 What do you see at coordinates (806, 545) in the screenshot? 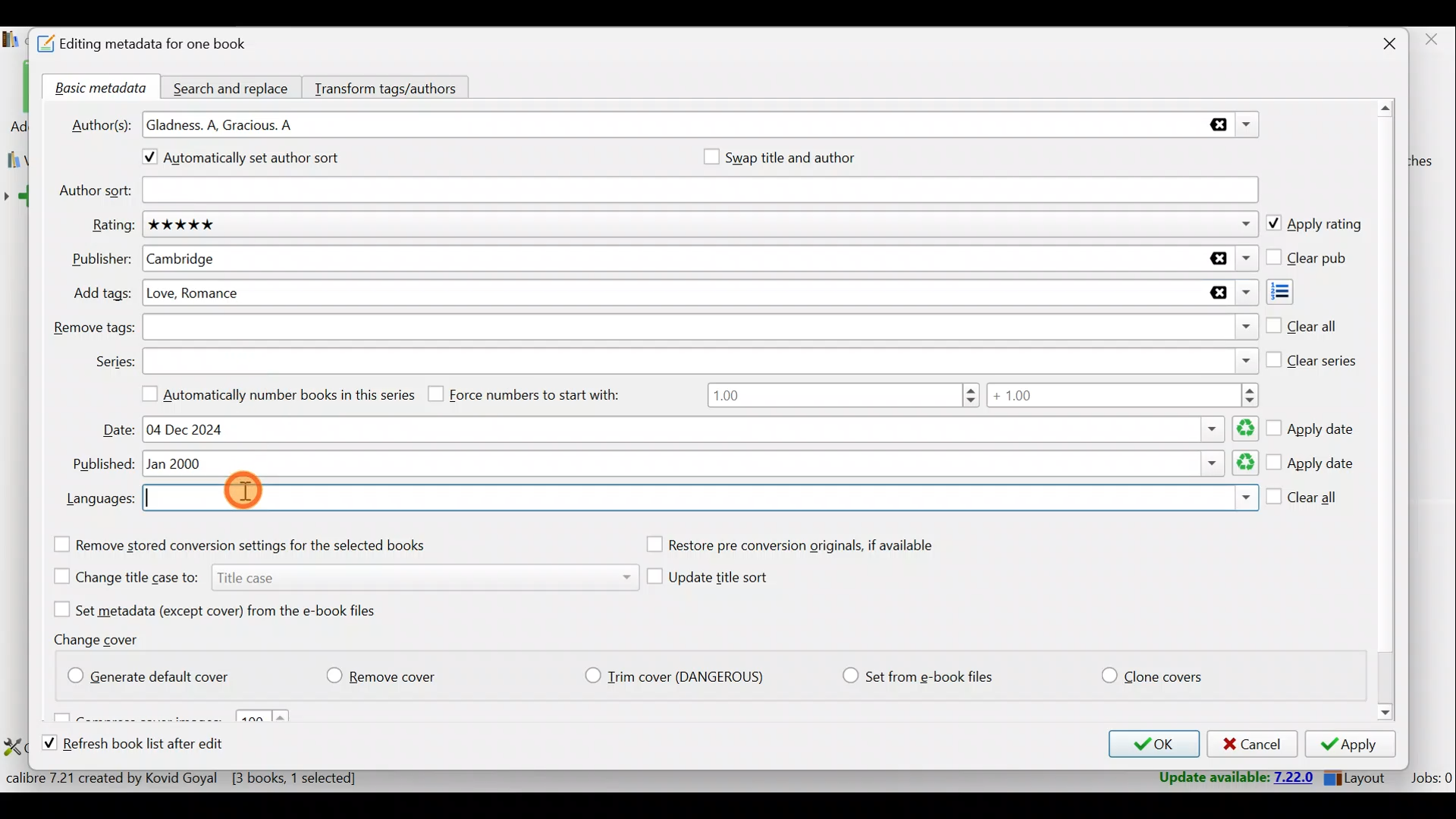
I see `Restore pre conversion originals, if available` at bounding box center [806, 545].